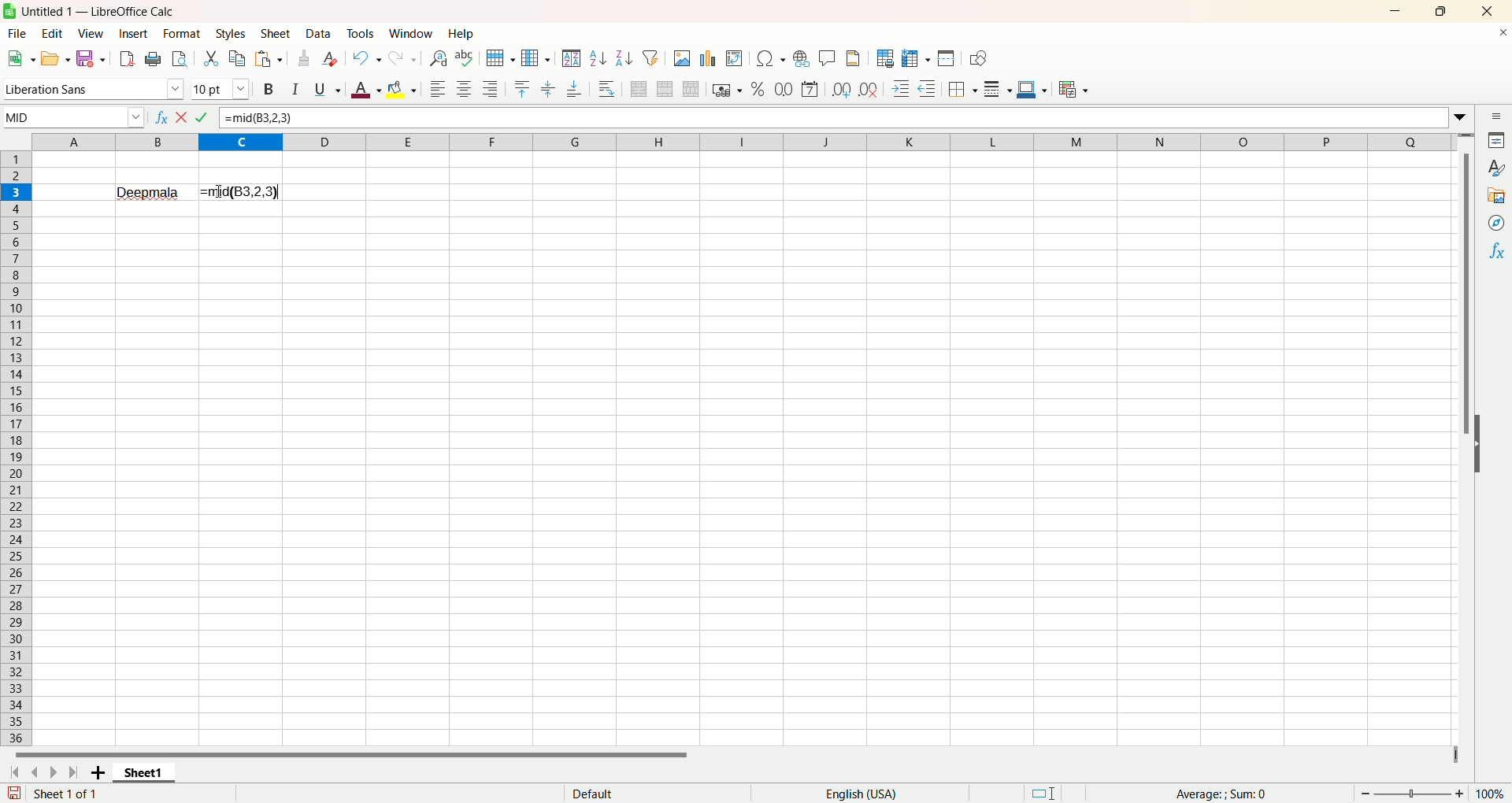 This screenshot has height=803, width=1512. What do you see at coordinates (1469, 439) in the screenshot?
I see `vertical scroll bar` at bounding box center [1469, 439].